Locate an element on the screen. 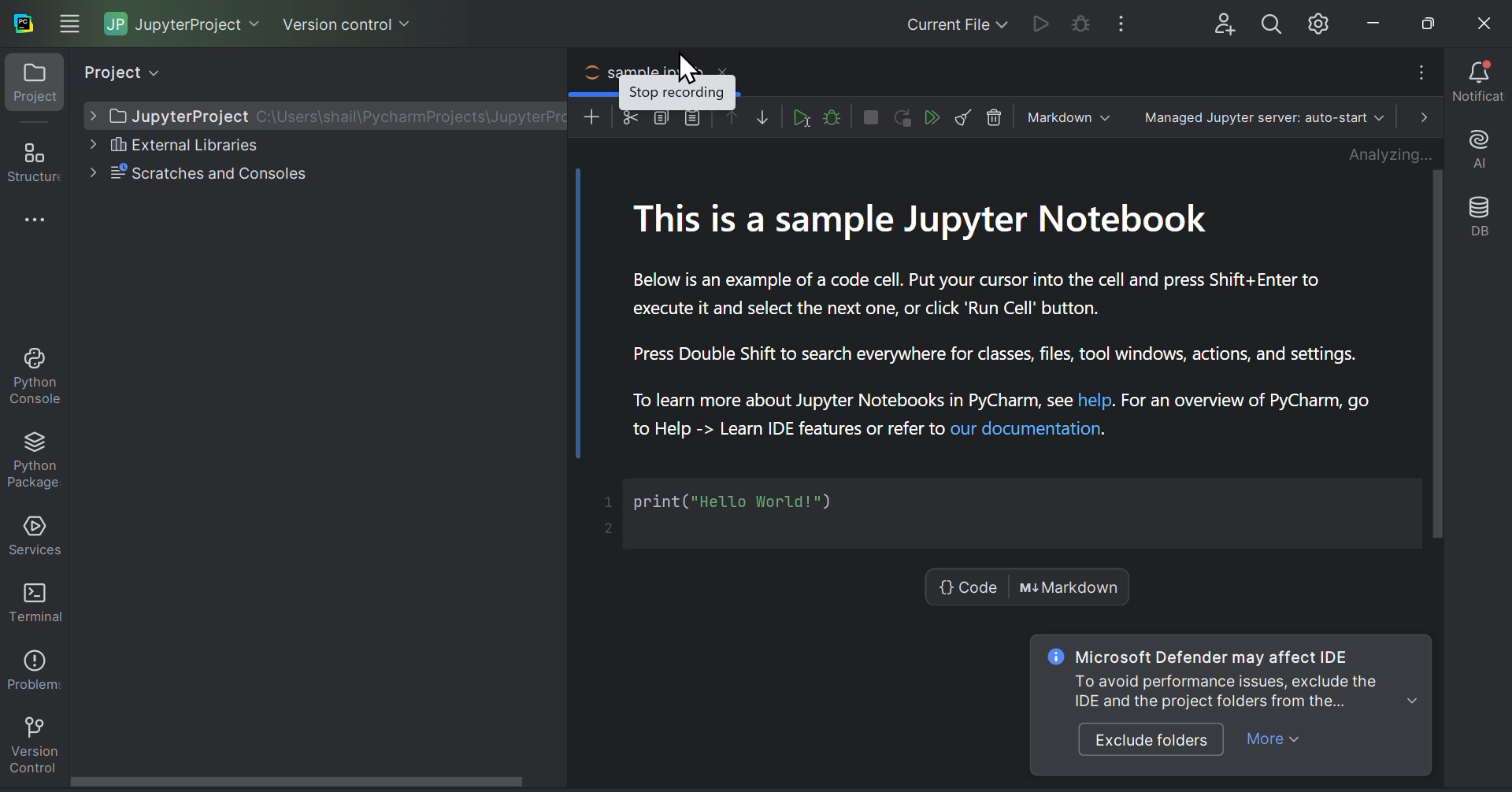 The width and height of the screenshot is (1512, 792). cut cell is located at coordinates (631, 117).